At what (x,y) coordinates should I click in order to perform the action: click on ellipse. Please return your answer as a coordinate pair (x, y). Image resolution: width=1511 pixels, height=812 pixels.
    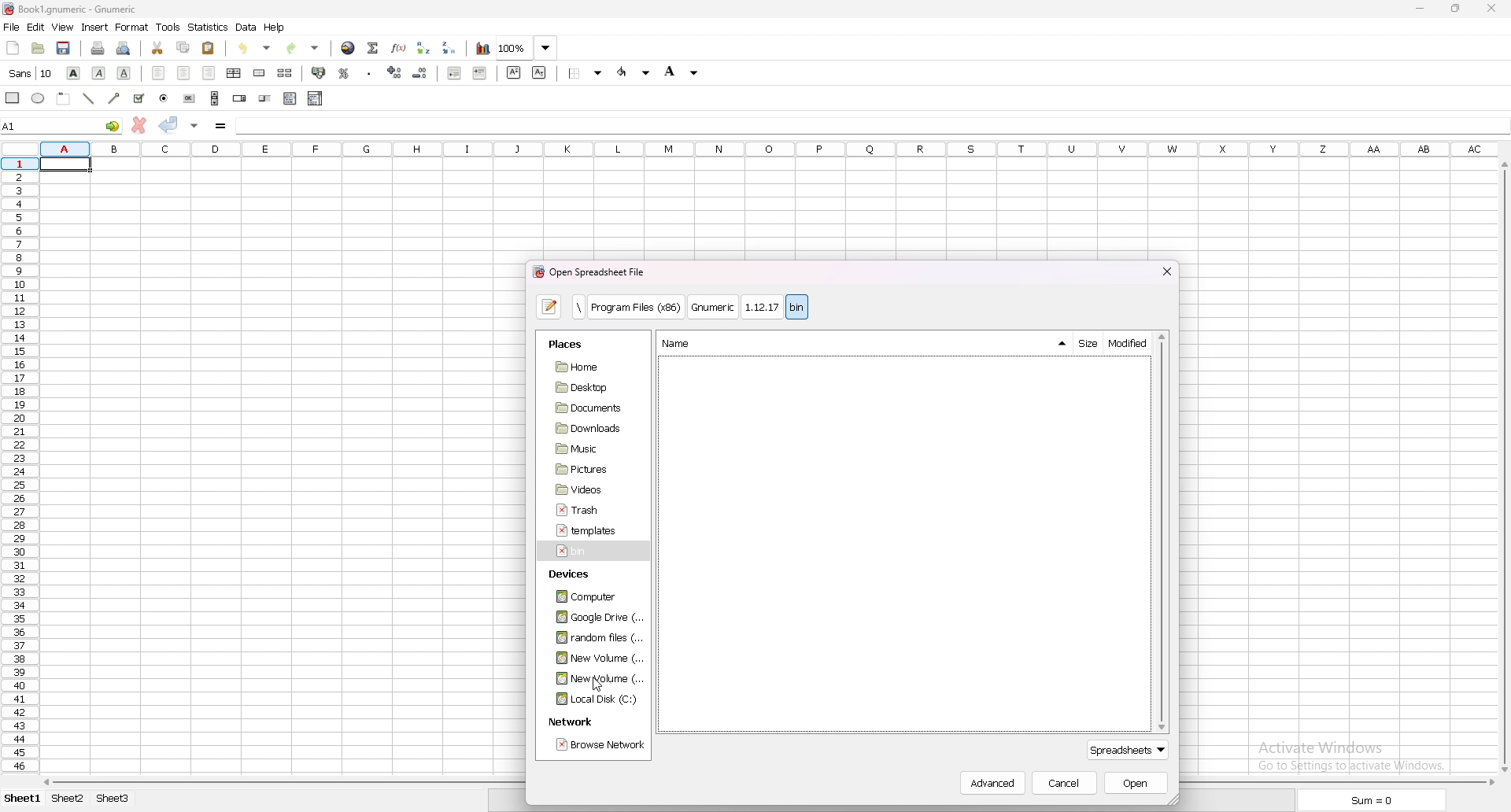
    Looking at the image, I should click on (39, 98).